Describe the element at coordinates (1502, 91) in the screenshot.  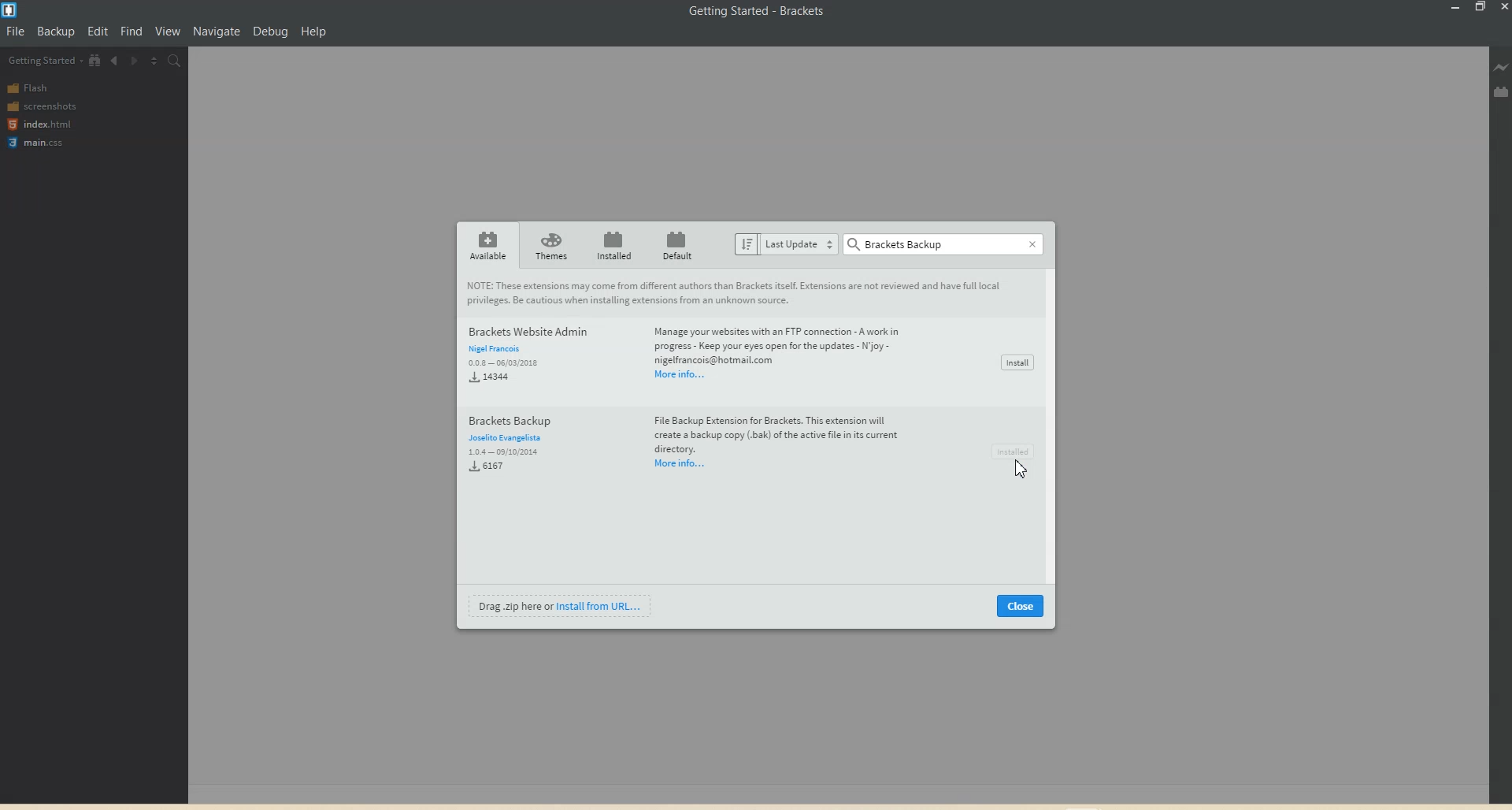
I see `Extension manager` at that location.